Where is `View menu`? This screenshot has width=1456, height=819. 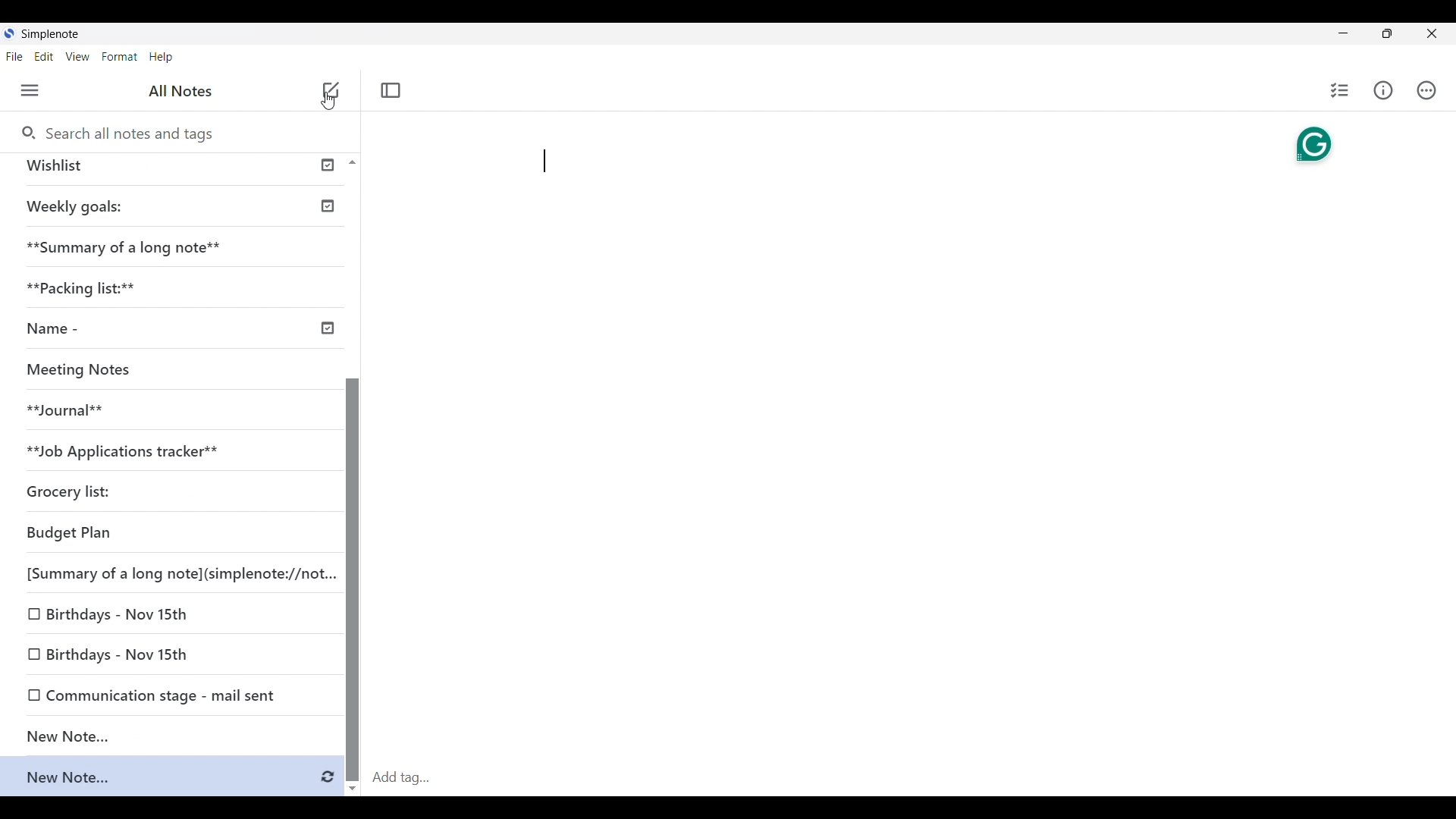
View menu is located at coordinates (77, 57).